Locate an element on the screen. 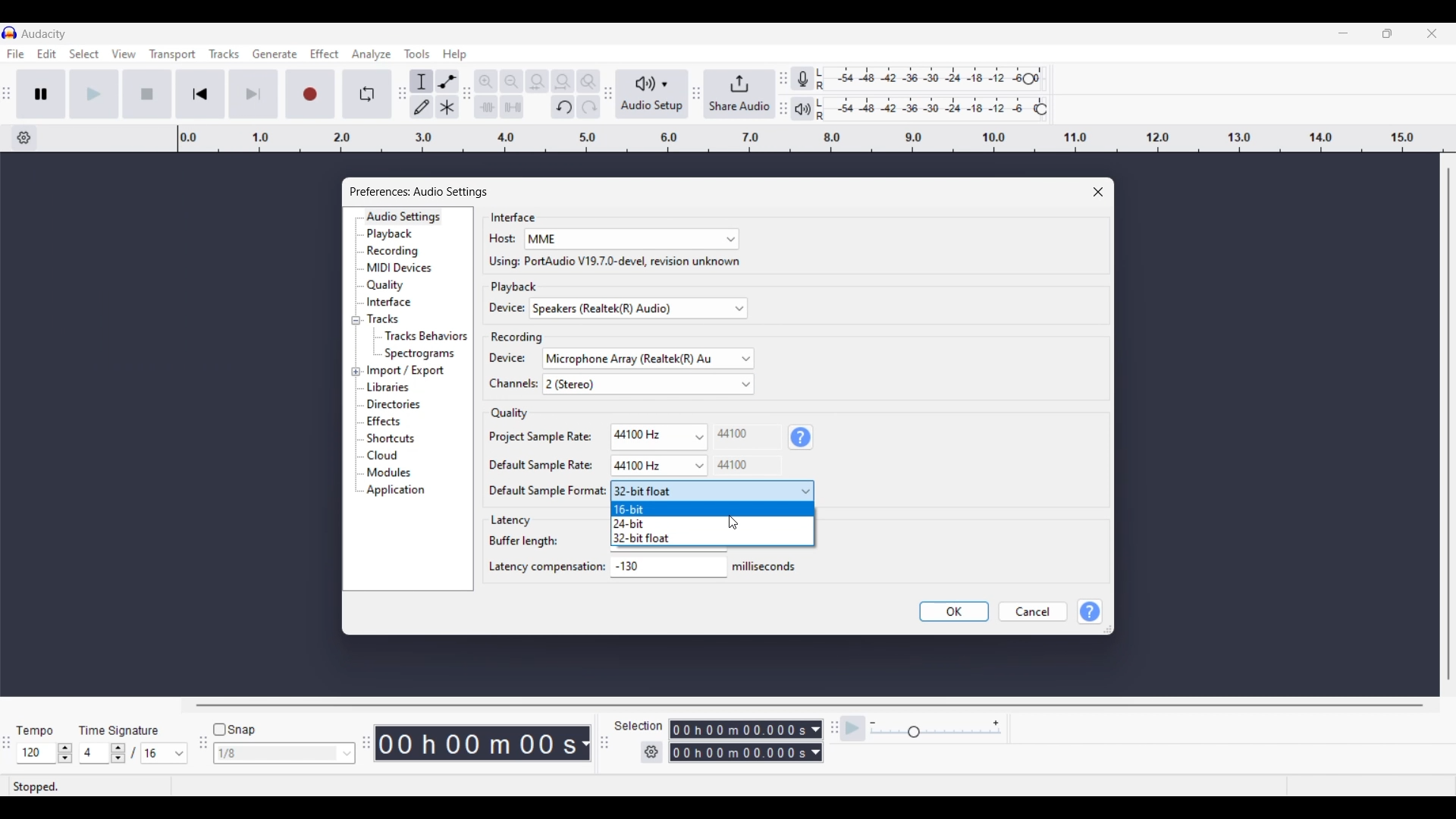 This screenshot has width=1456, height=819. Recording duration is located at coordinates (737, 741).